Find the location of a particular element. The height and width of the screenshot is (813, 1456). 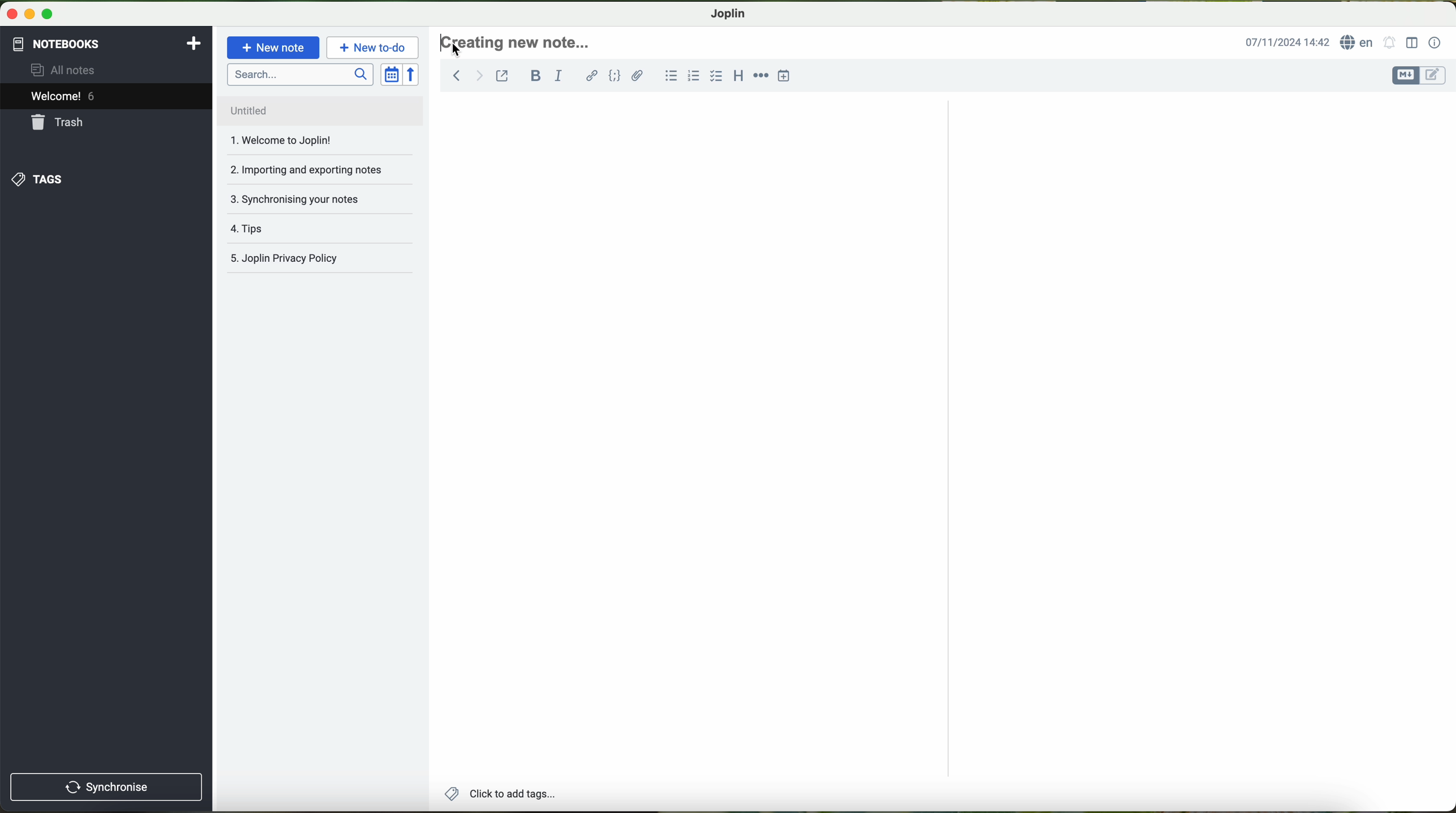

reverse sort order is located at coordinates (412, 75).